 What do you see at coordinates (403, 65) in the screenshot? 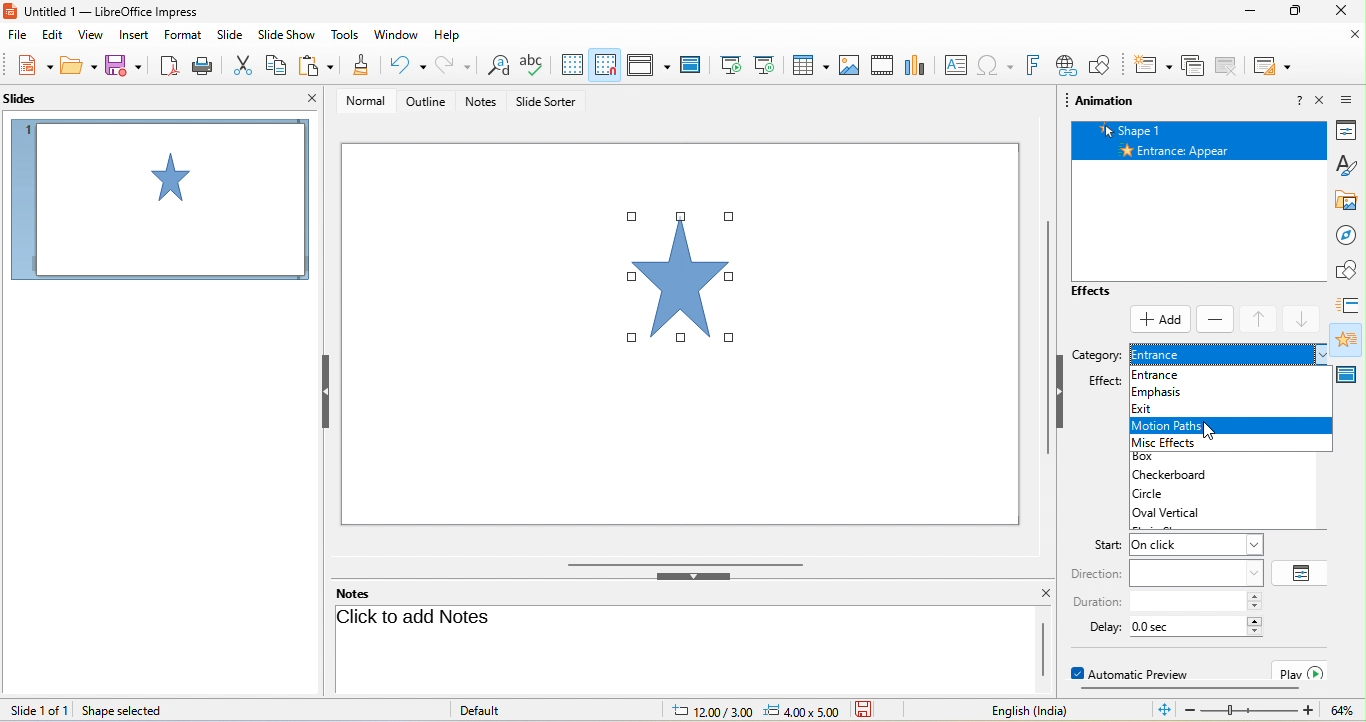
I see `undo` at bounding box center [403, 65].